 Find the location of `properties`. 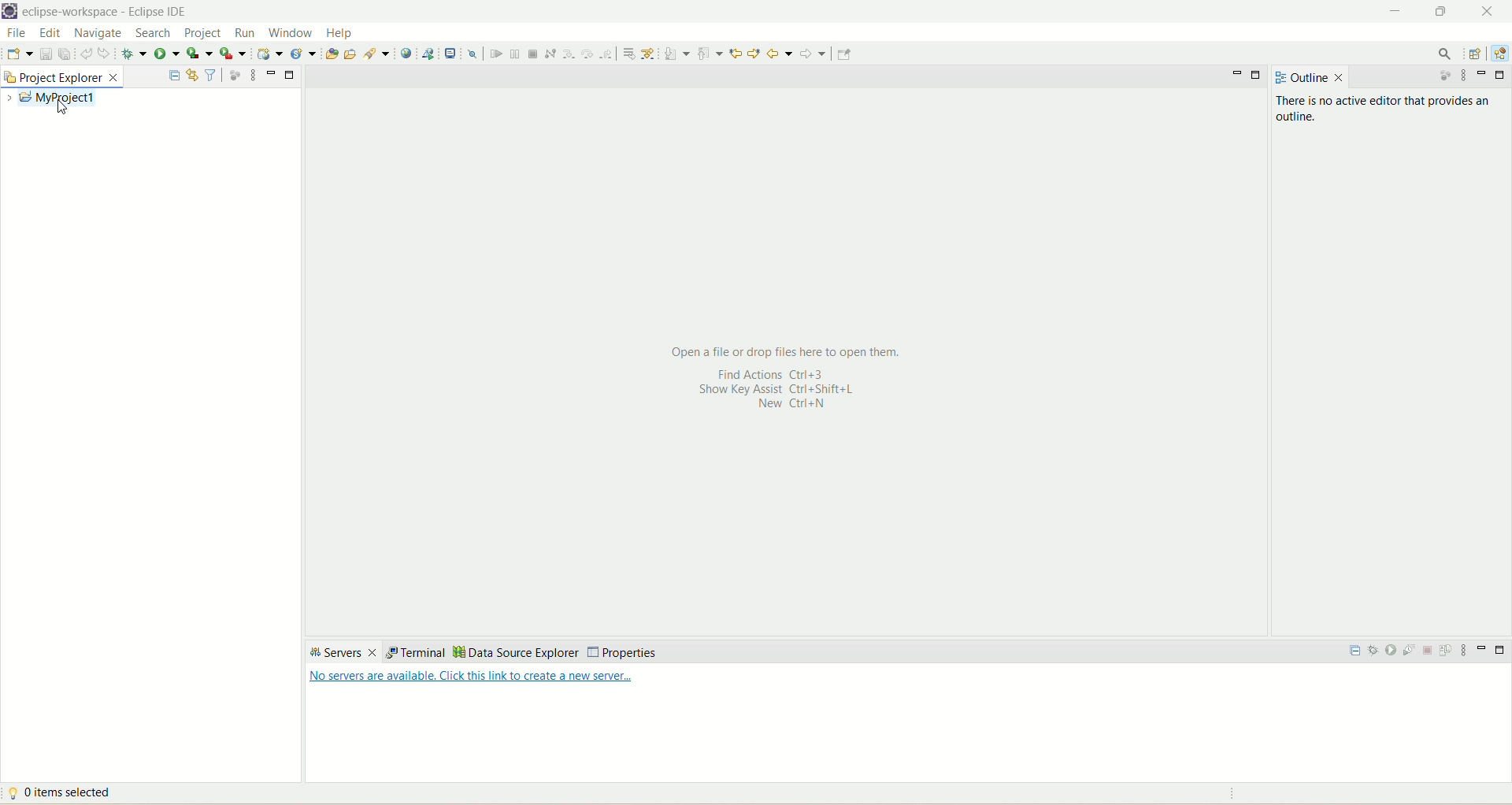

properties is located at coordinates (621, 652).